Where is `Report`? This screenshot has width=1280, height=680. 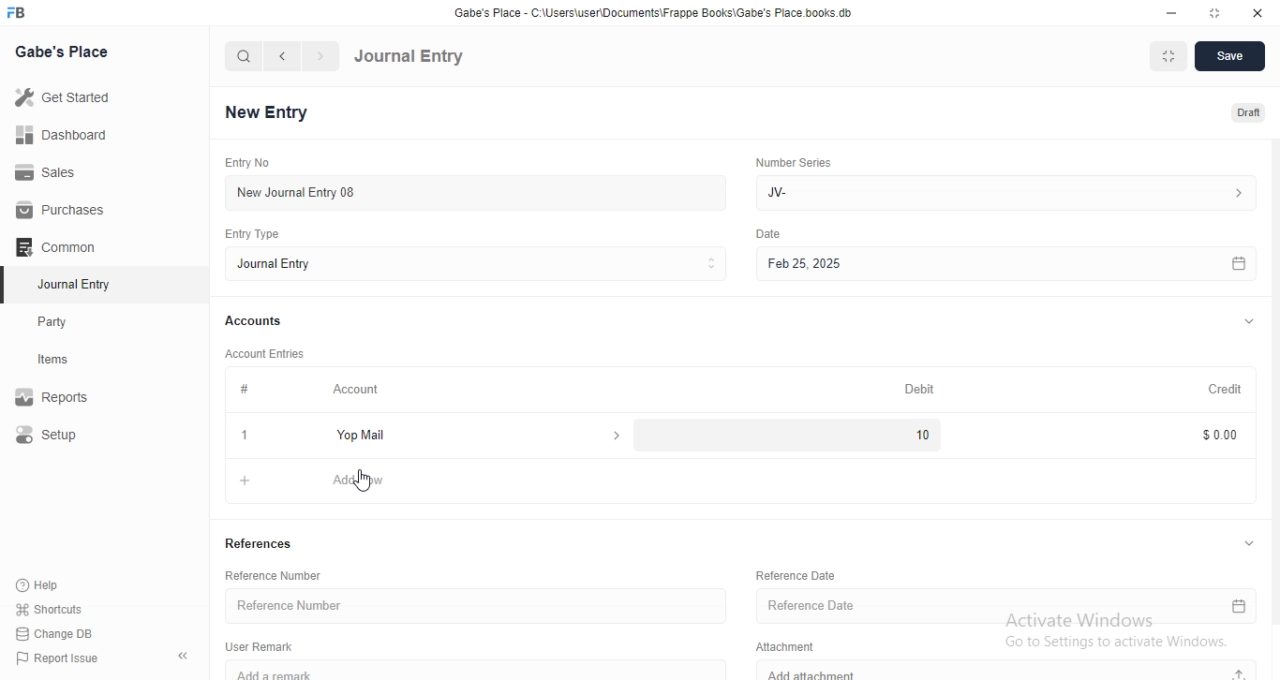
Report is located at coordinates (67, 397).